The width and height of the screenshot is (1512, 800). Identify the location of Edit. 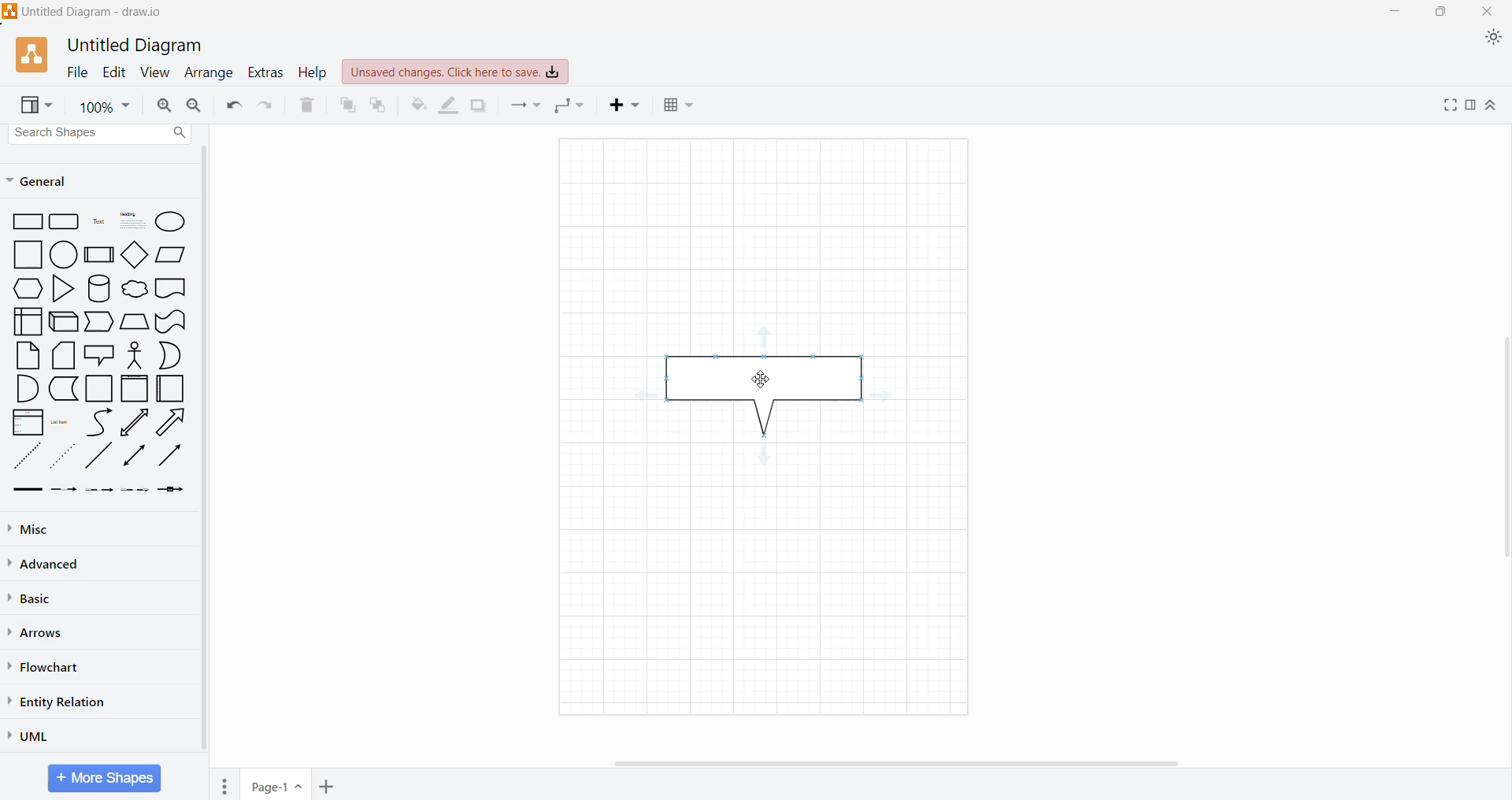
(114, 72).